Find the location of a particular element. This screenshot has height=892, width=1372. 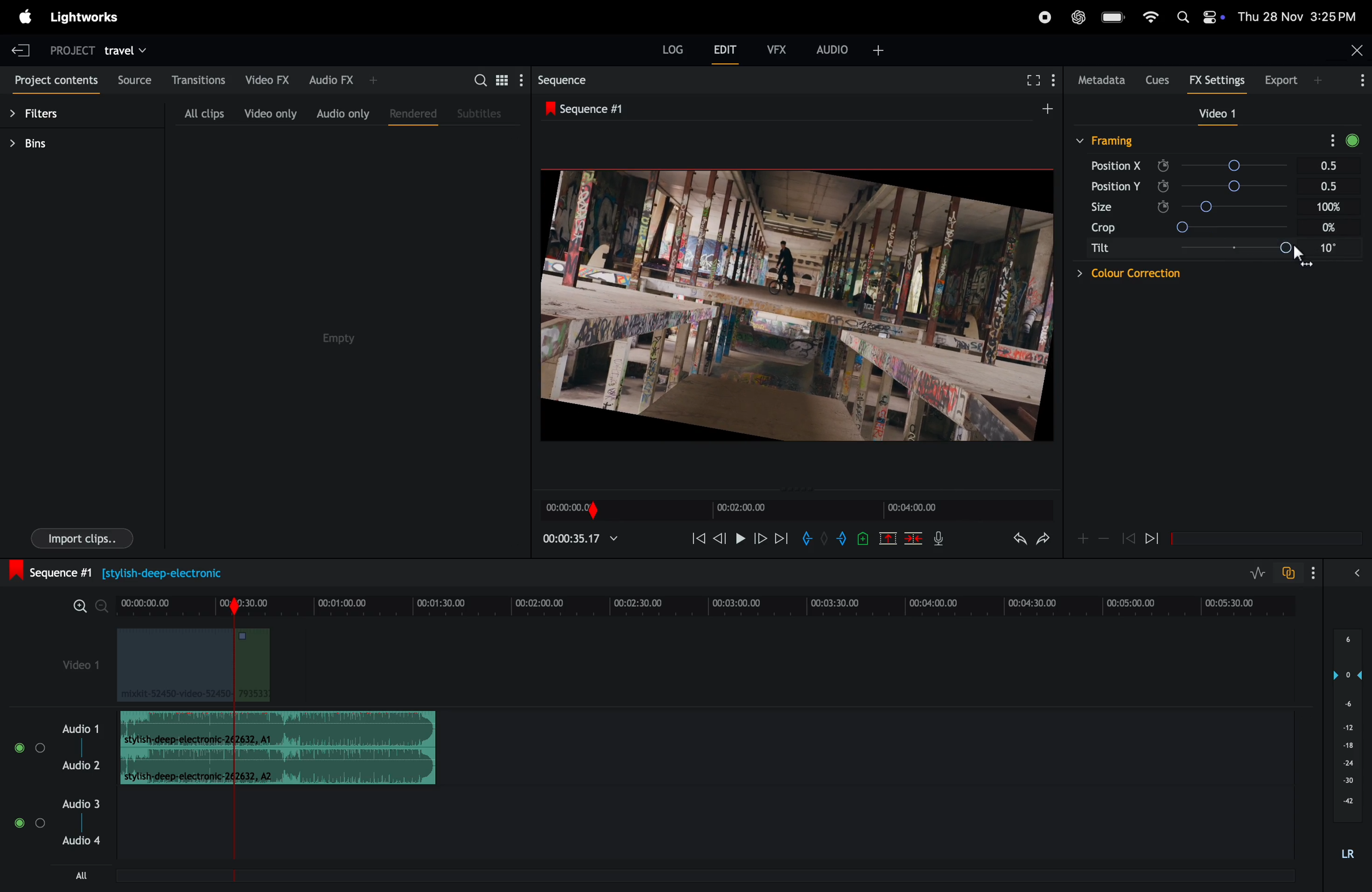

tilt angle is located at coordinates (1264, 252).